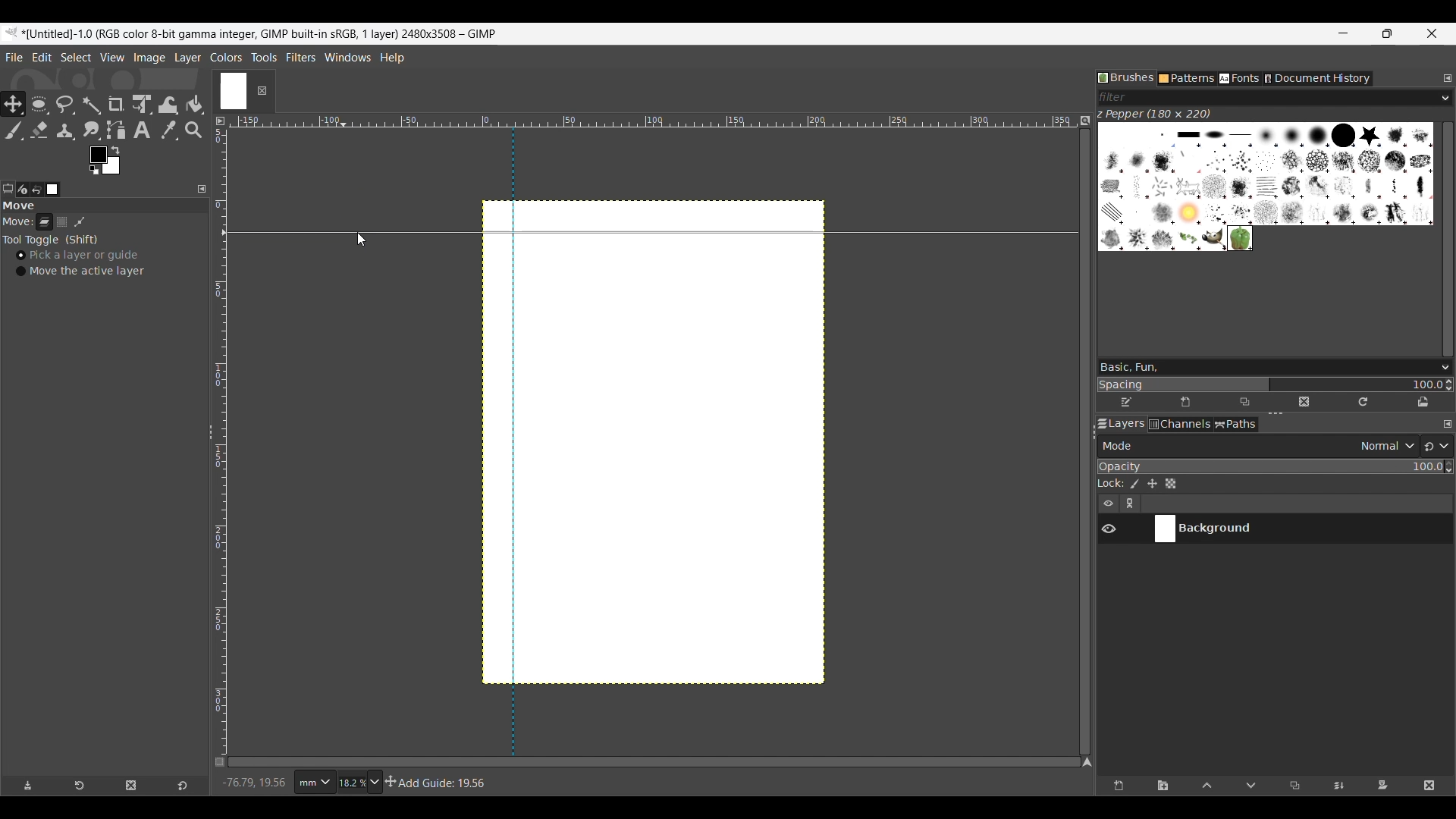 The width and height of the screenshot is (1456, 819). I want to click on Ellipse select tool, so click(37, 104).